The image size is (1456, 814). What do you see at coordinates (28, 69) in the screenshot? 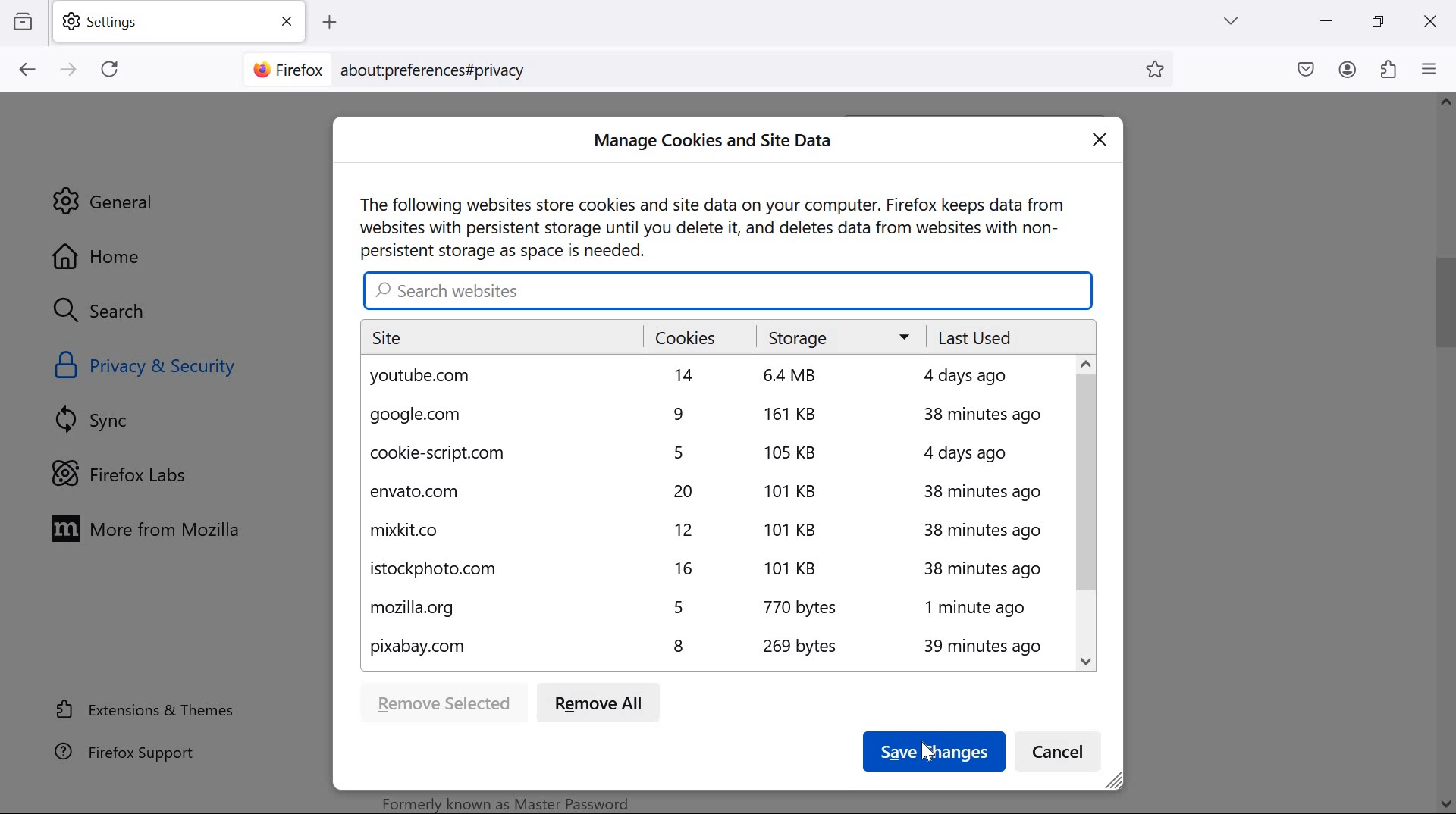
I see `go back one page` at bounding box center [28, 69].